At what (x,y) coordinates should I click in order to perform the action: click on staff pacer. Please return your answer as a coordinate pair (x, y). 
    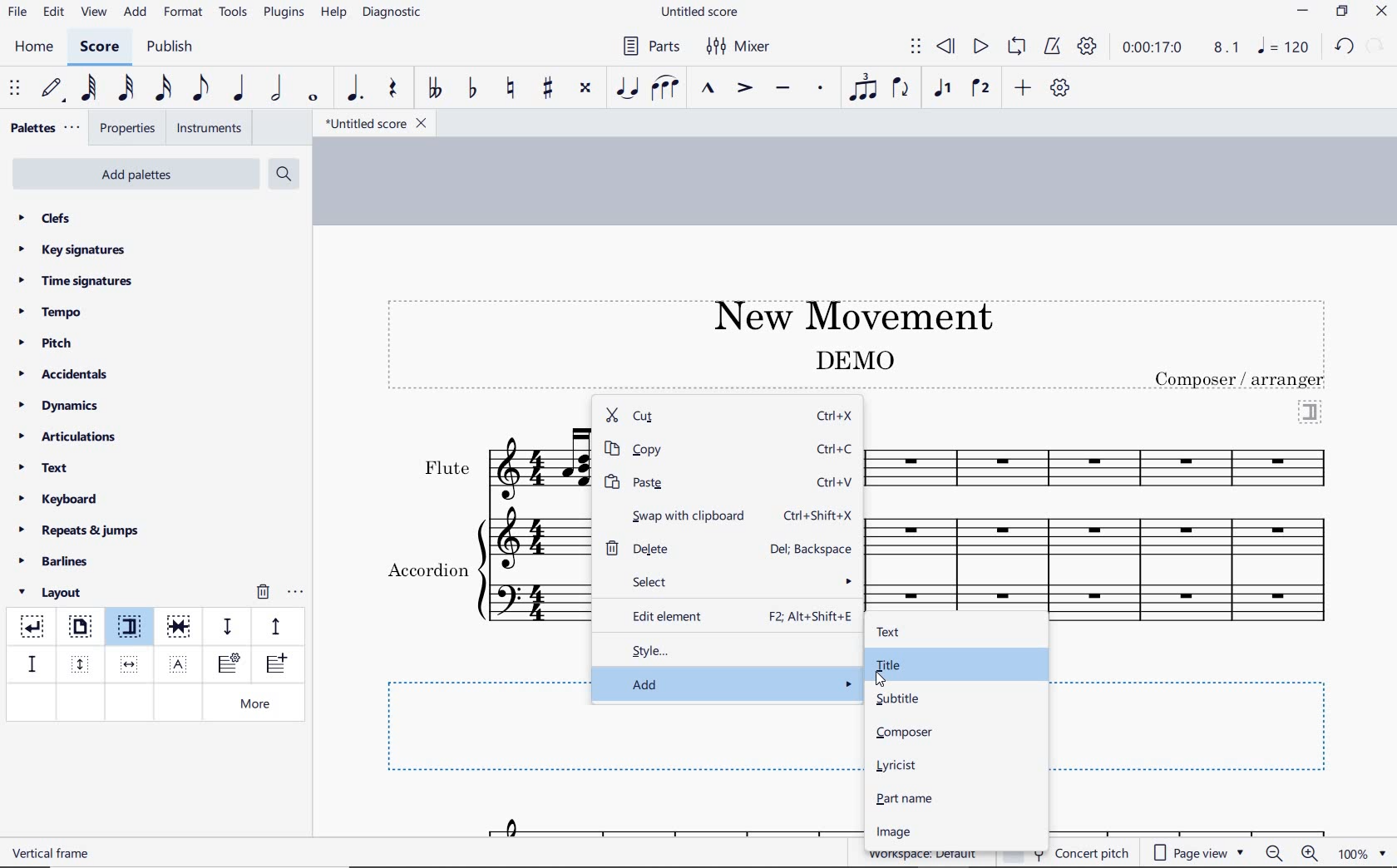
    Looking at the image, I should click on (274, 625).